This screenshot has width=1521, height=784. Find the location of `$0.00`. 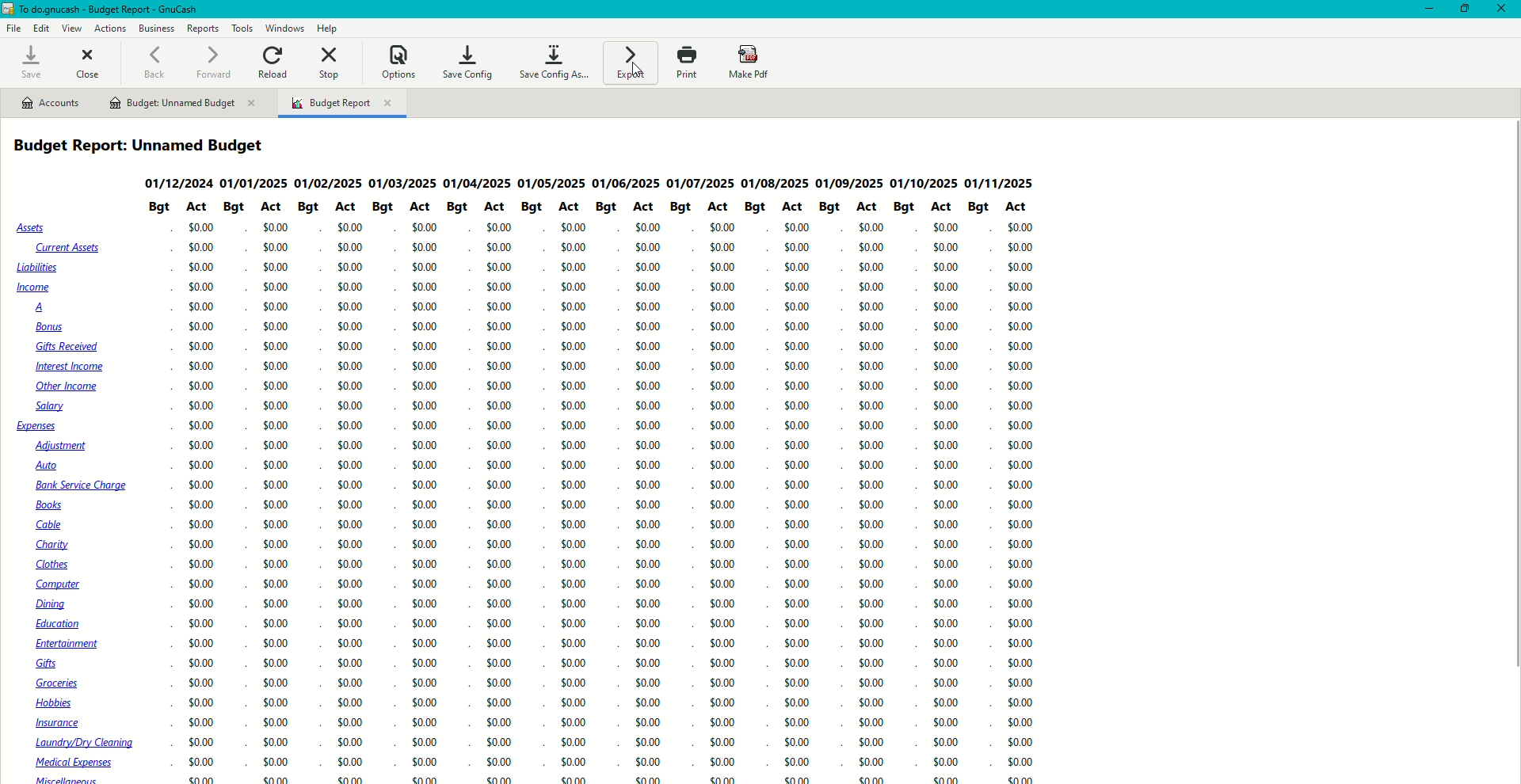

$0.00 is located at coordinates (425, 584).